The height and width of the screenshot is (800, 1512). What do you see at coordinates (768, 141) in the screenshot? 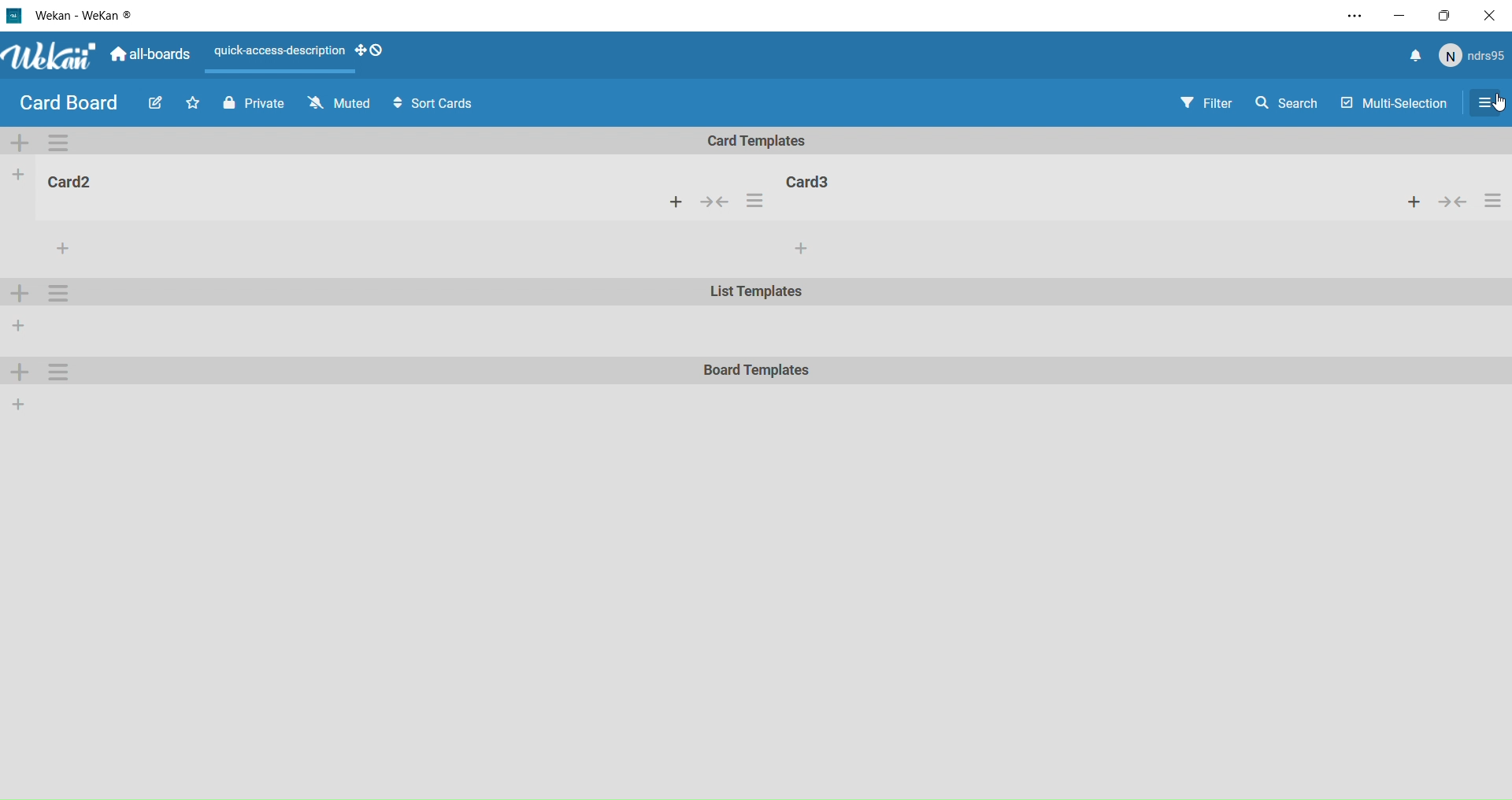
I see `Card Templates` at bounding box center [768, 141].